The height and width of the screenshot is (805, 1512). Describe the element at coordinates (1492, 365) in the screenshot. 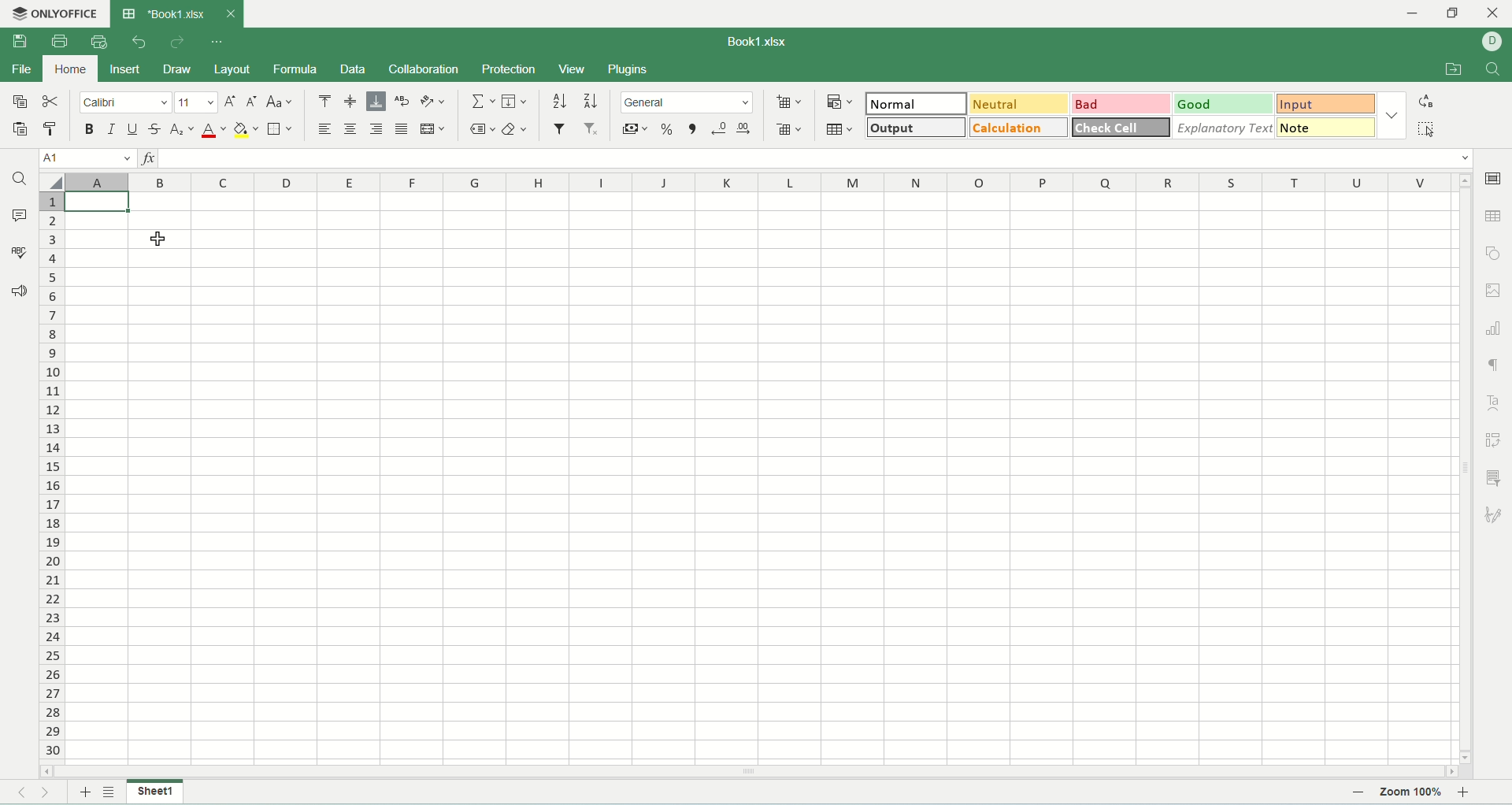

I see `formatting marks` at that location.